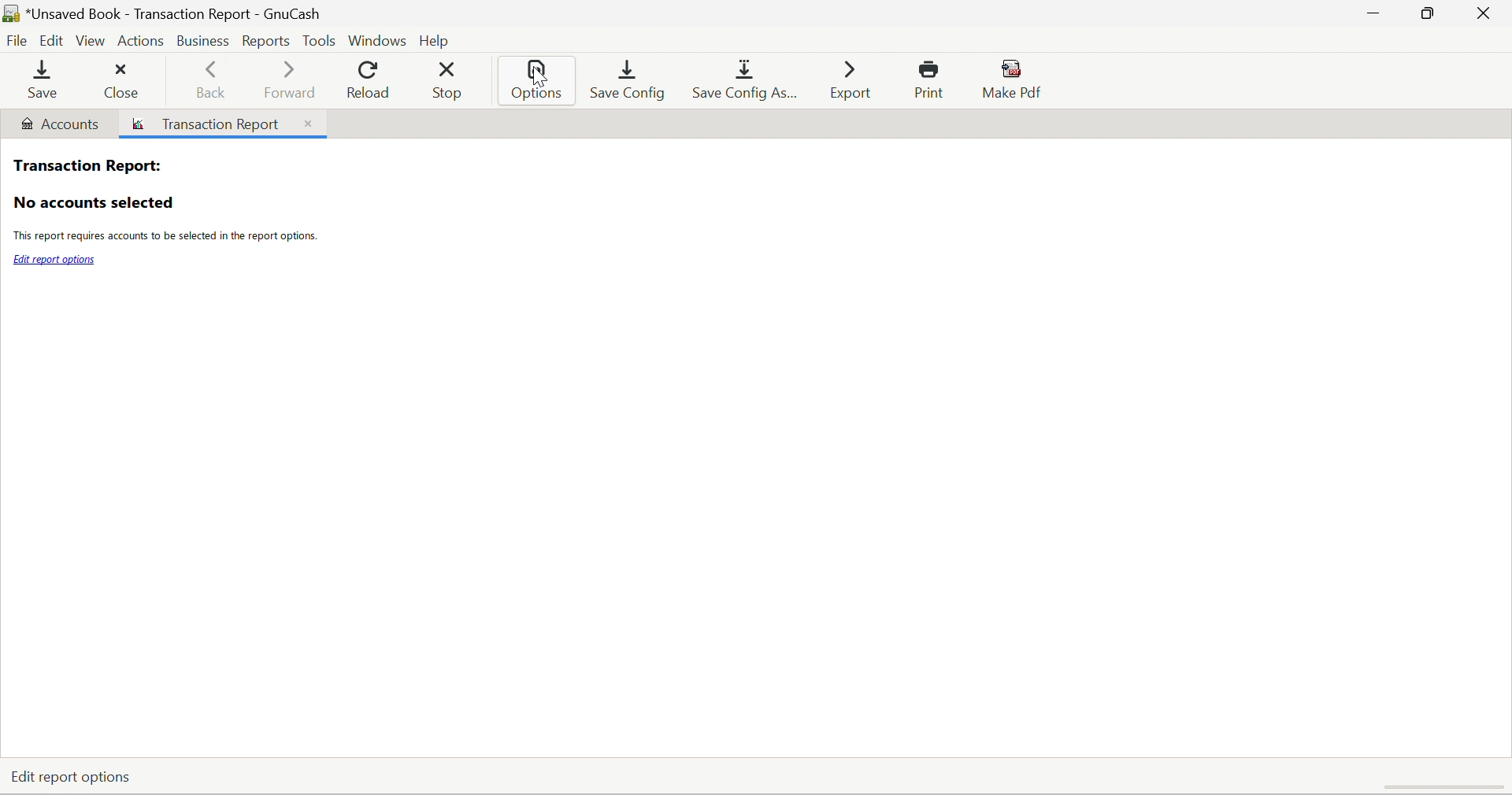 The width and height of the screenshot is (1512, 795). What do you see at coordinates (291, 79) in the screenshot?
I see `Forward` at bounding box center [291, 79].